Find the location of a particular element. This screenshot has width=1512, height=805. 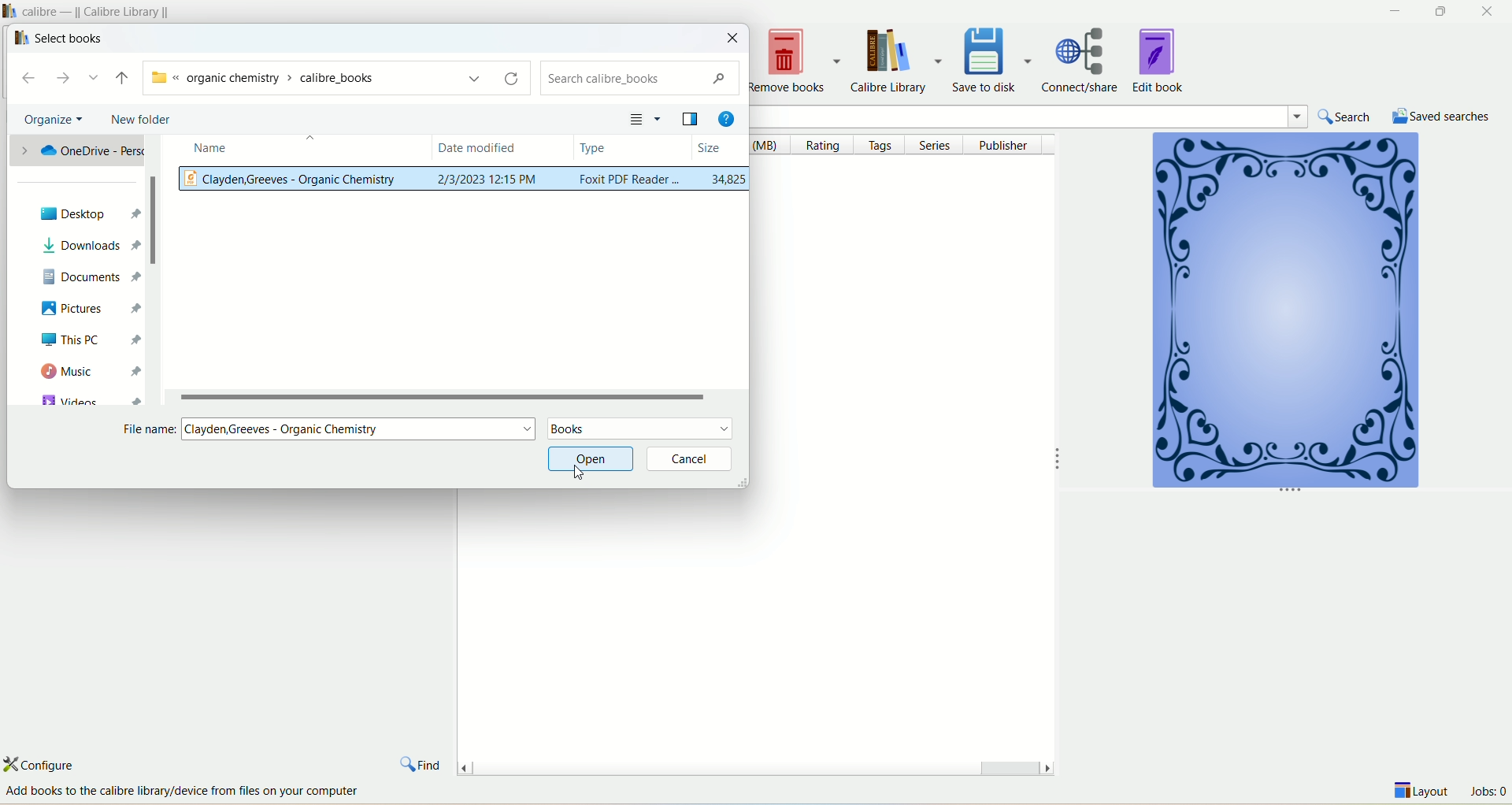

help is located at coordinates (725, 115).